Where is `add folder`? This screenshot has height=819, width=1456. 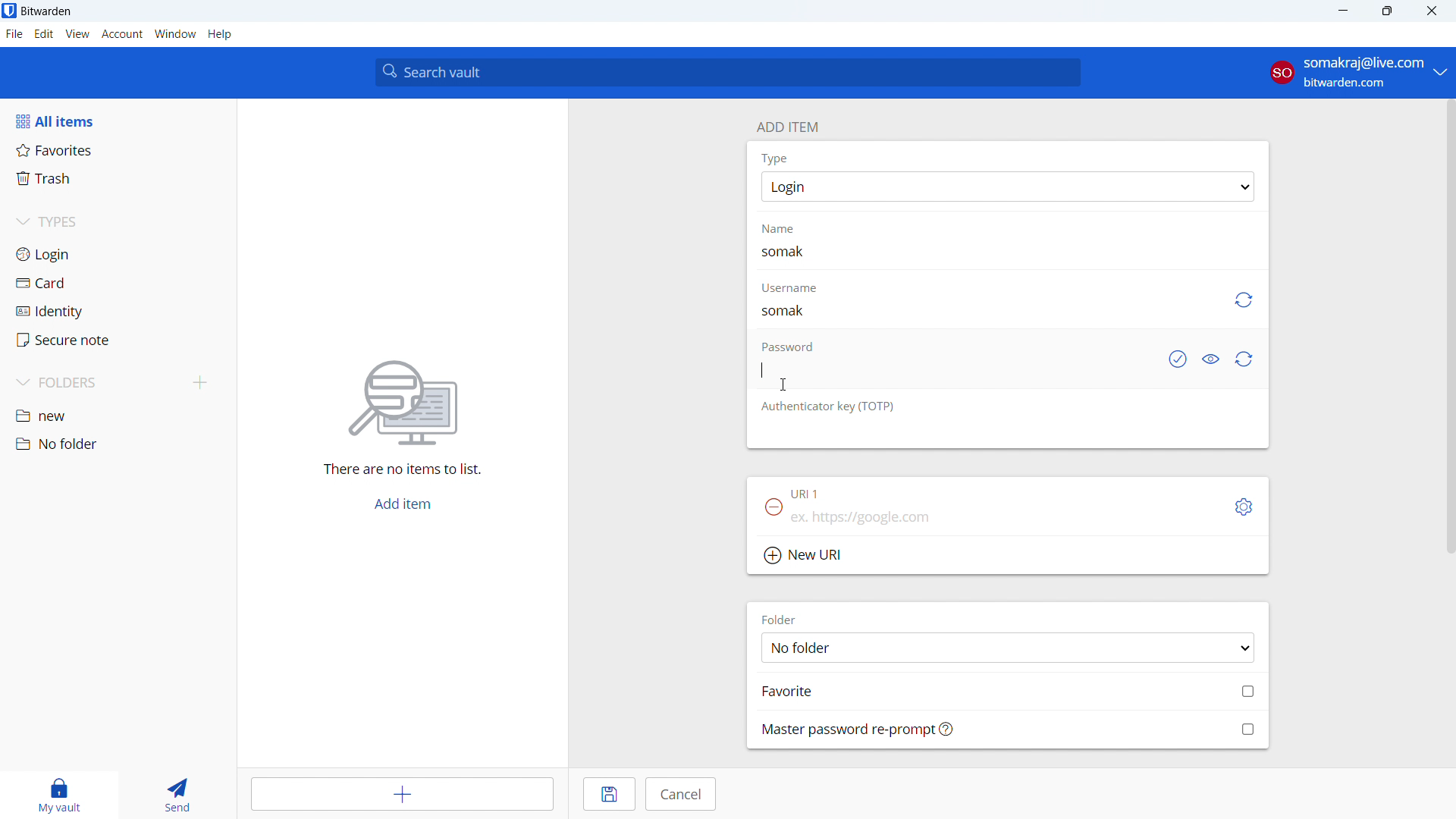 add folder is located at coordinates (200, 384).